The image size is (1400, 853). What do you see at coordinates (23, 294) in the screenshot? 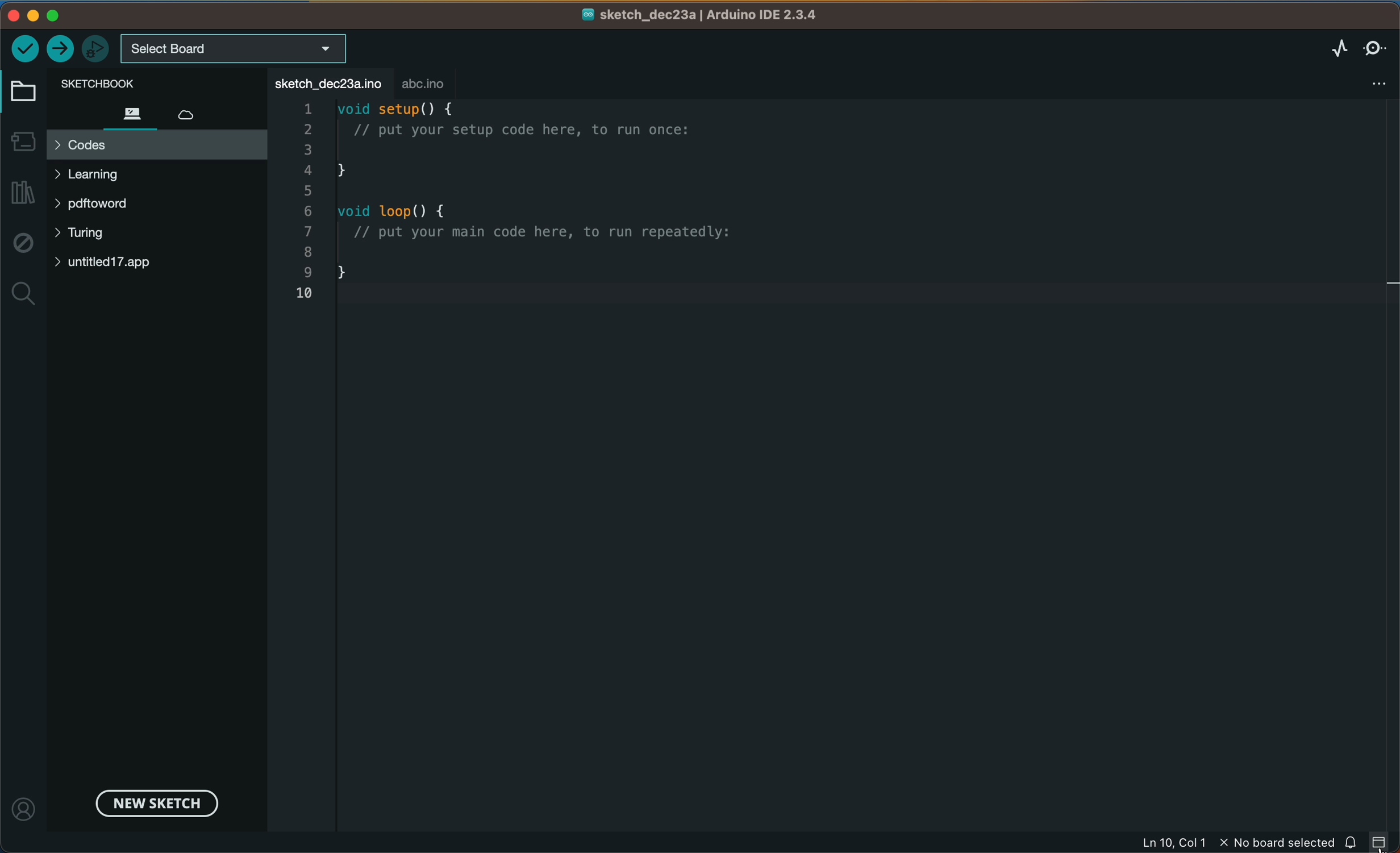
I see `search` at bounding box center [23, 294].